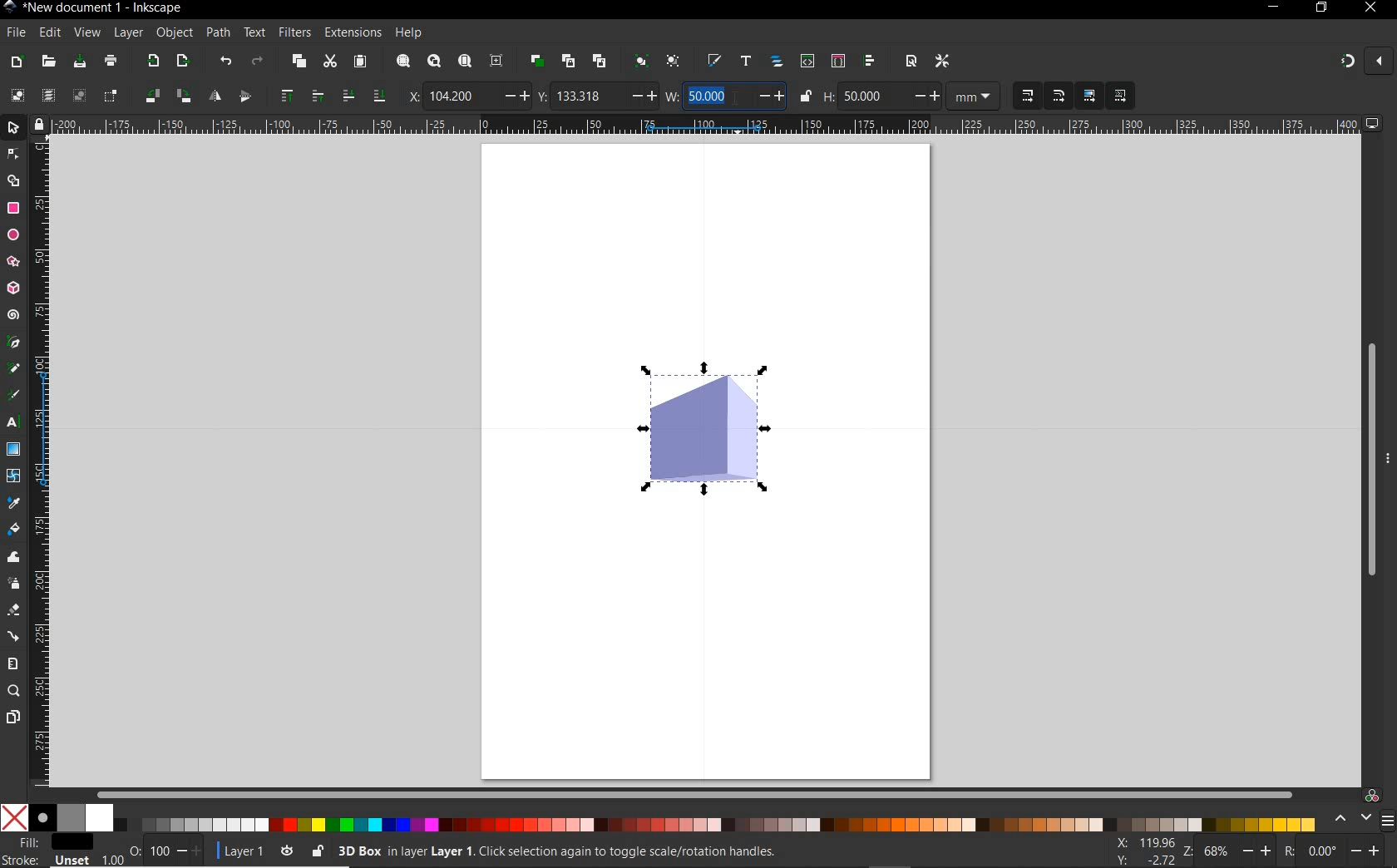 The width and height of the screenshot is (1397, 868). What do you see at coordinates (13, 558) in the screenshot?
I see `tweak tool` at bounding box center [13, 558].